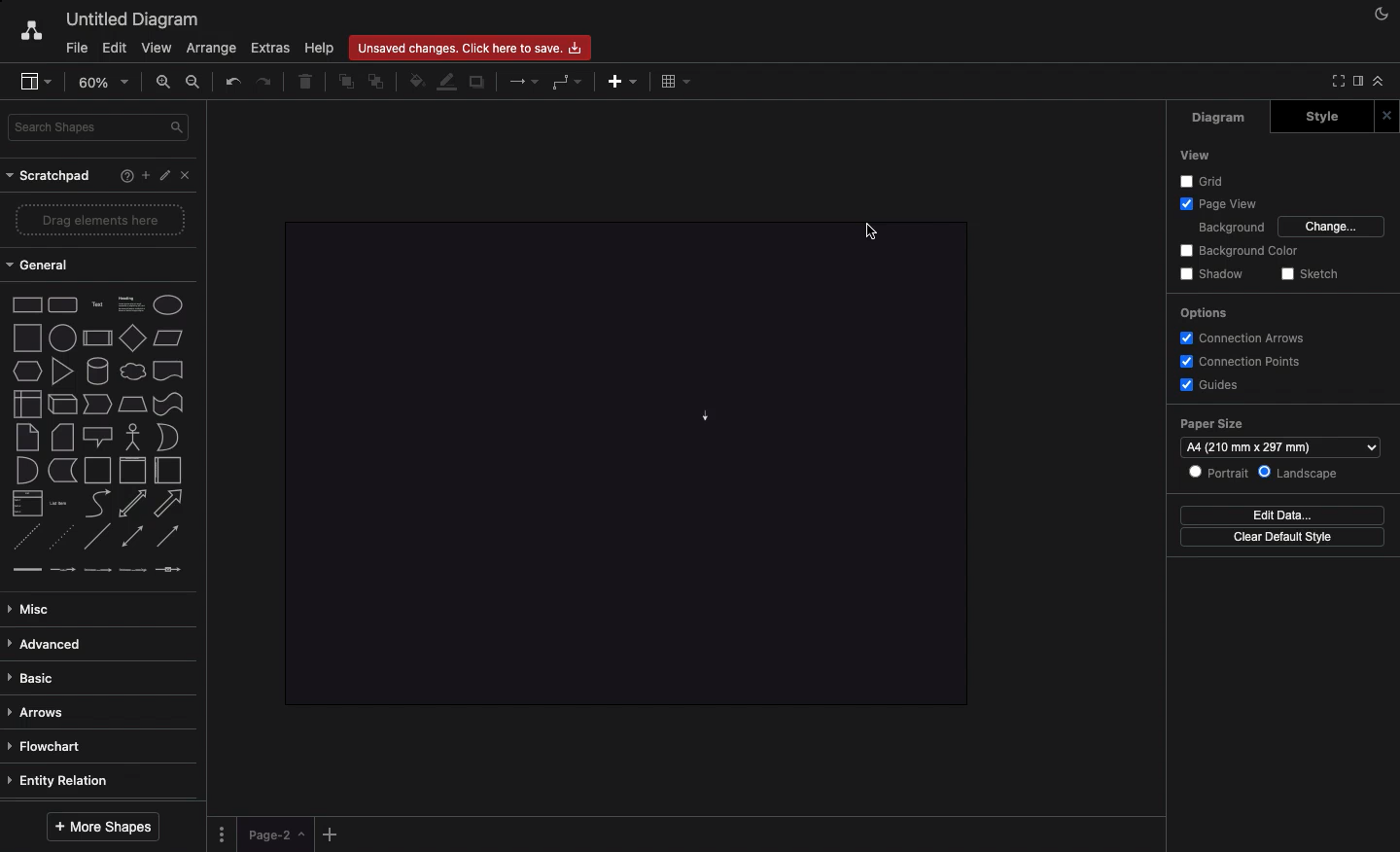 The image size is (1400, 852). I want to click on Shapes, so click(99, 436).